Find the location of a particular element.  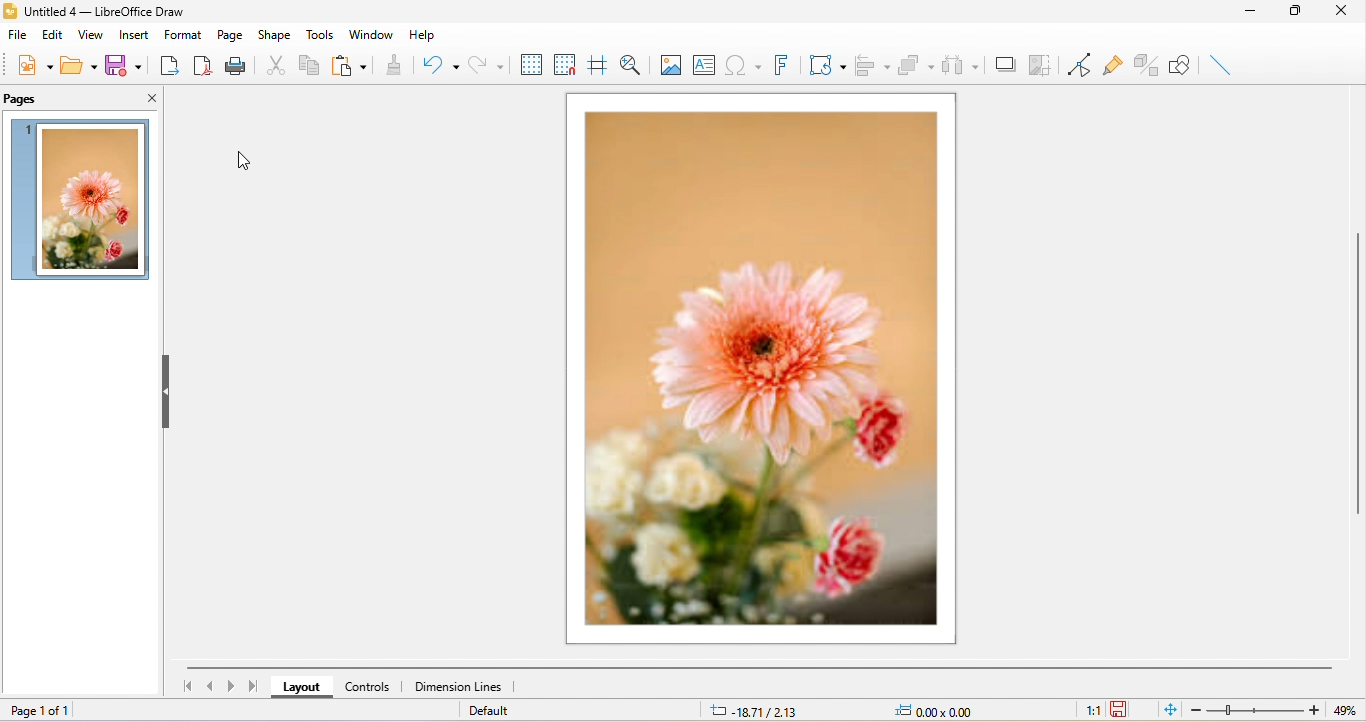

Untitled 4 — LibreOffice Draw is located at coordinates (97, 9).